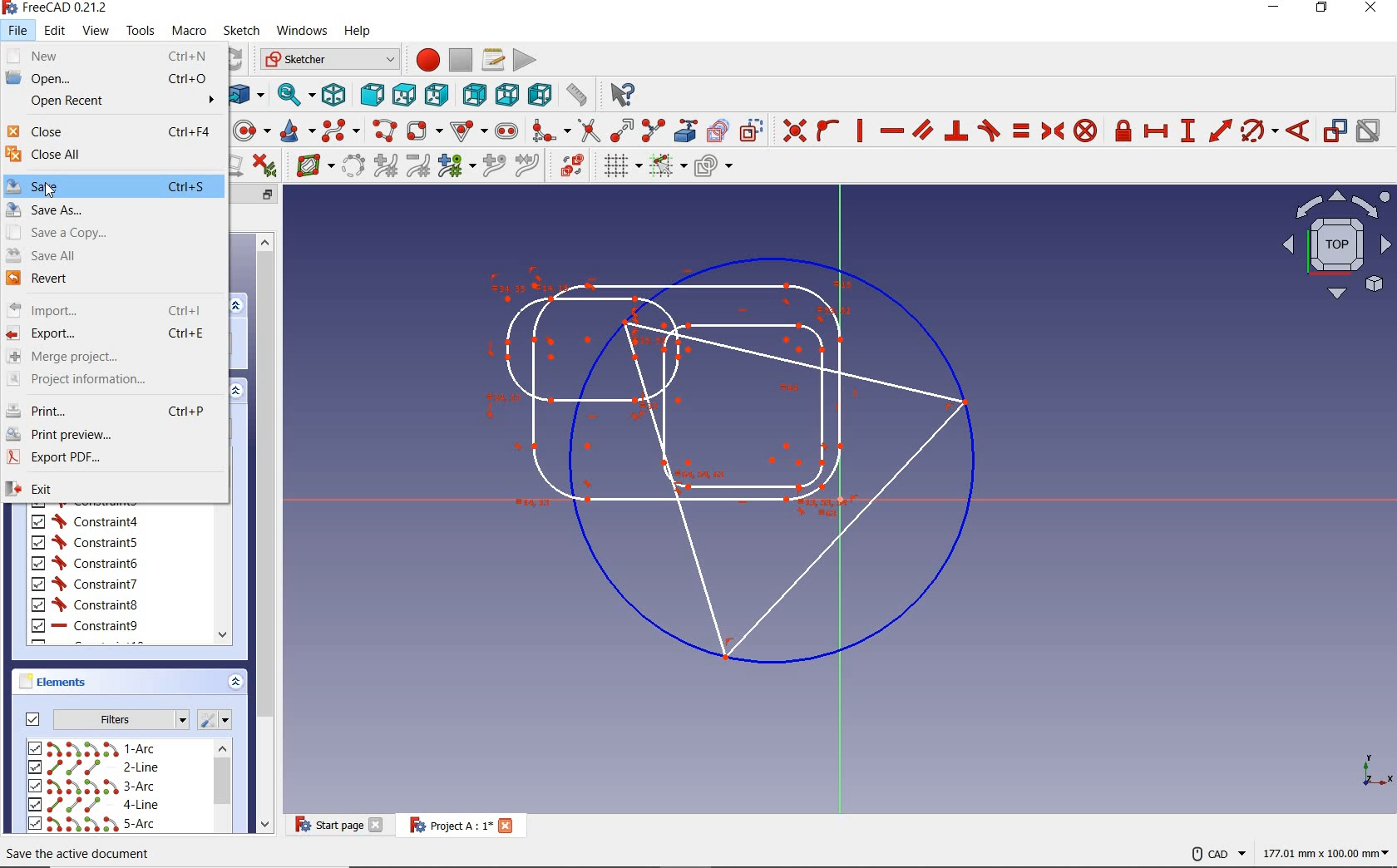 Image resolution: width=1397 pixels, height=868 pixels. What do you see at coordinates (85, 605) in the screenshot?
I see `constraint8` at bounding box center [85, 605].